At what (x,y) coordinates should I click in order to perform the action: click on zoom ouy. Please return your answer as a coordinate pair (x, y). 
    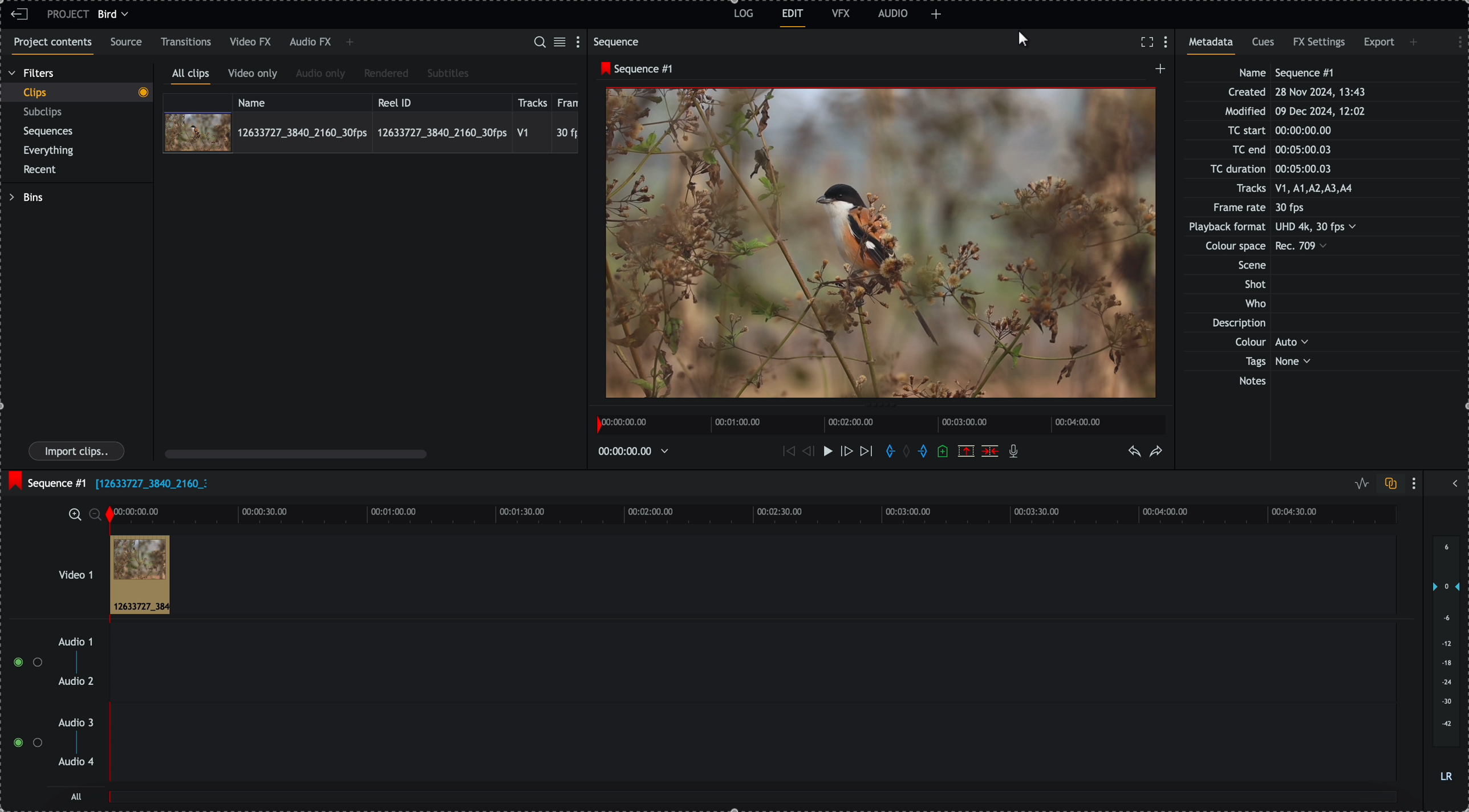
    Looking at the image, I should click on (96, 514).